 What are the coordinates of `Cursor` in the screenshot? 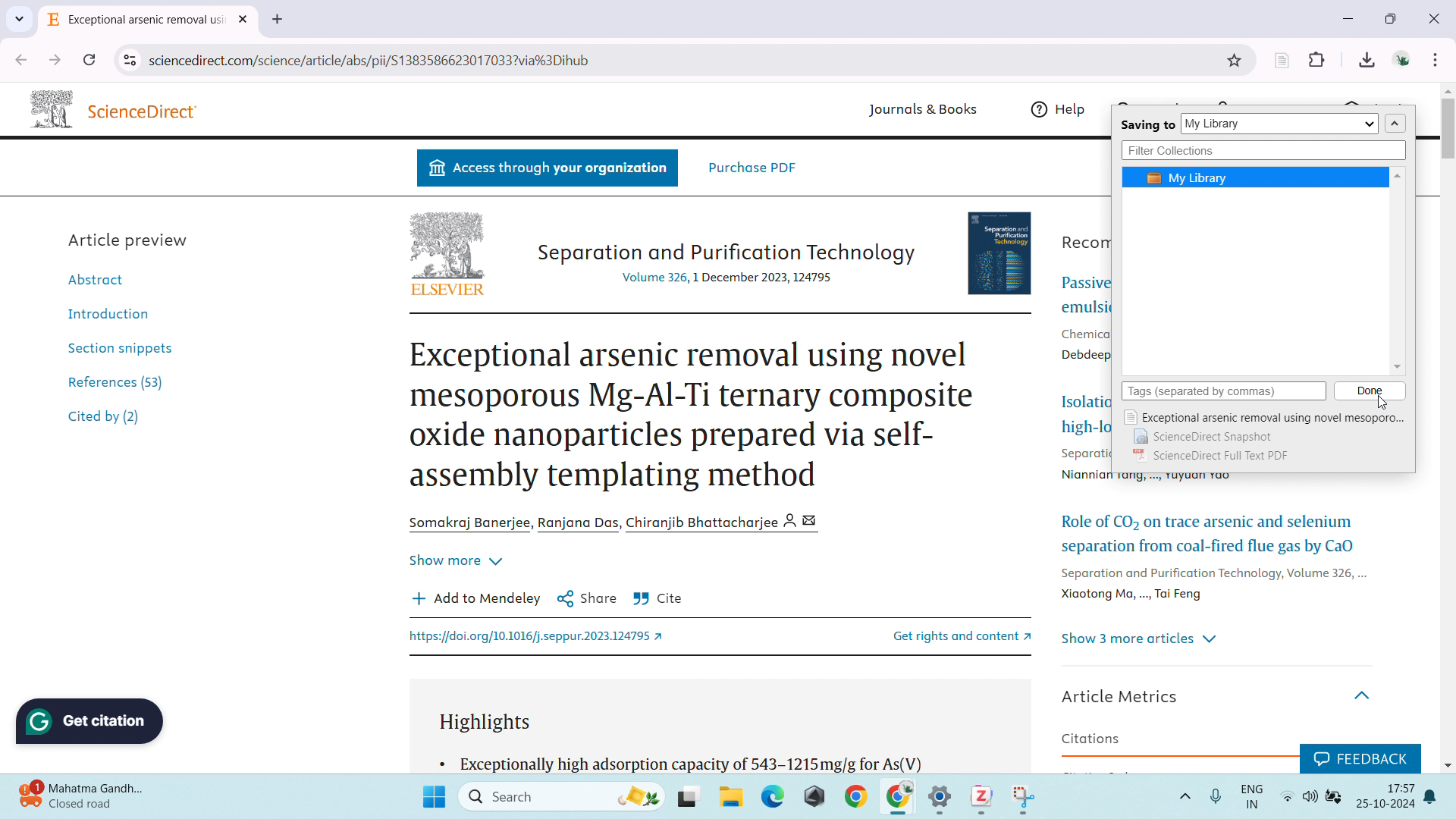 It's located at (1384, 403).